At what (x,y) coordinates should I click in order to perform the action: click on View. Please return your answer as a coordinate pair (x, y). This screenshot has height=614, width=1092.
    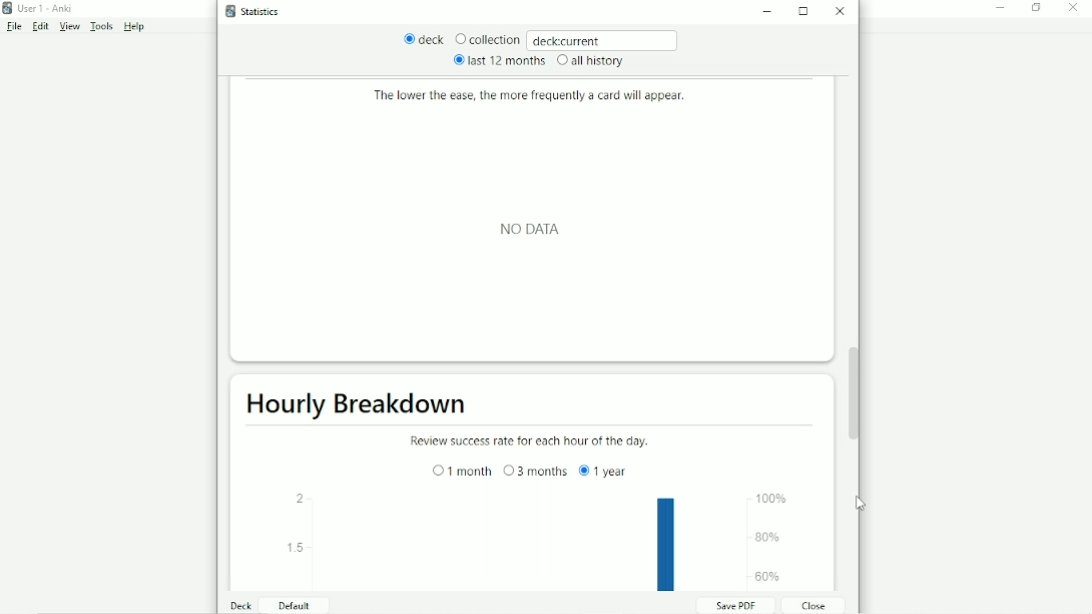
    Looking at the image, I should click on (70, 27).